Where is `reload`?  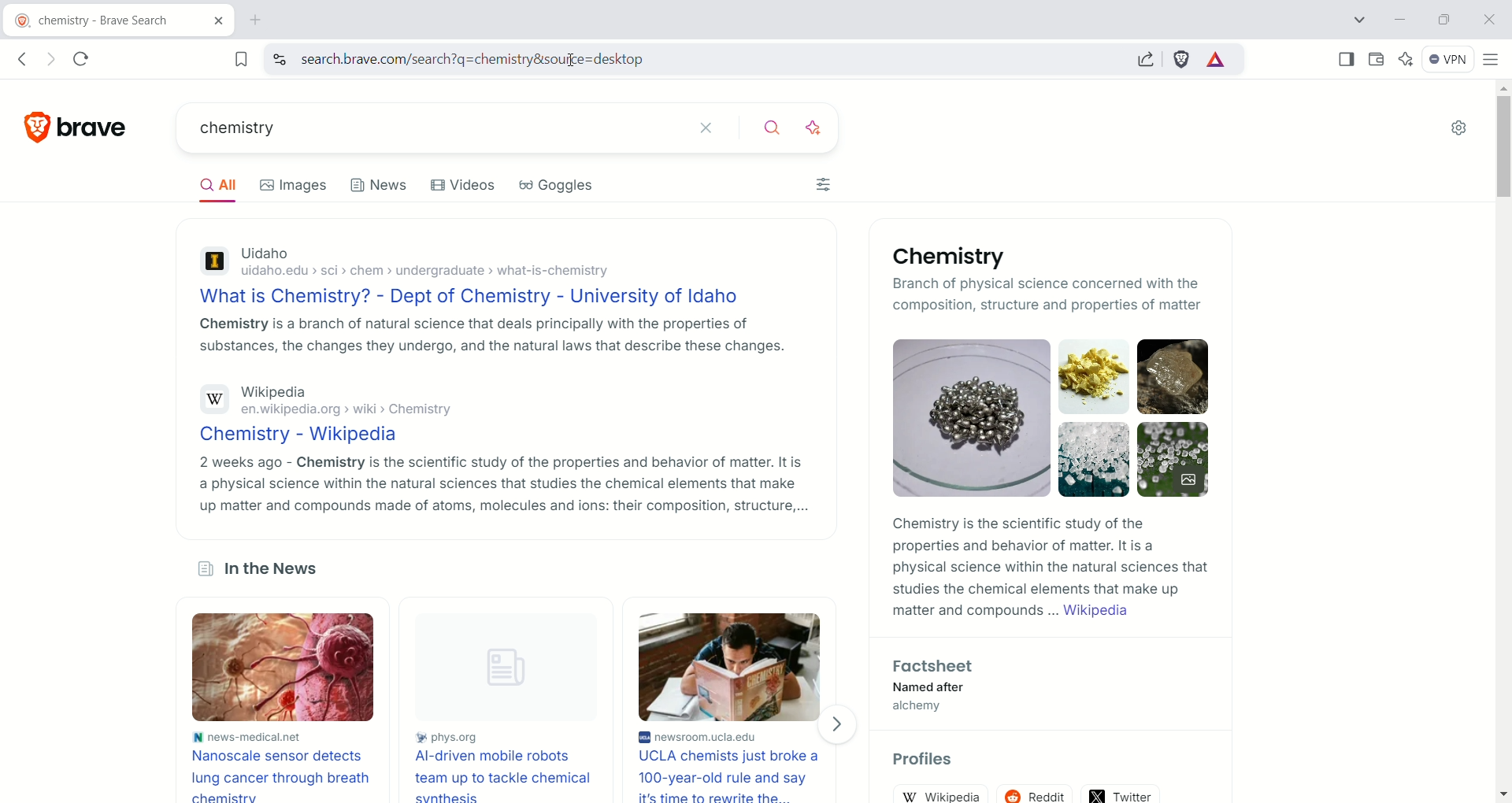 reload is located at coordinates (82, 61).